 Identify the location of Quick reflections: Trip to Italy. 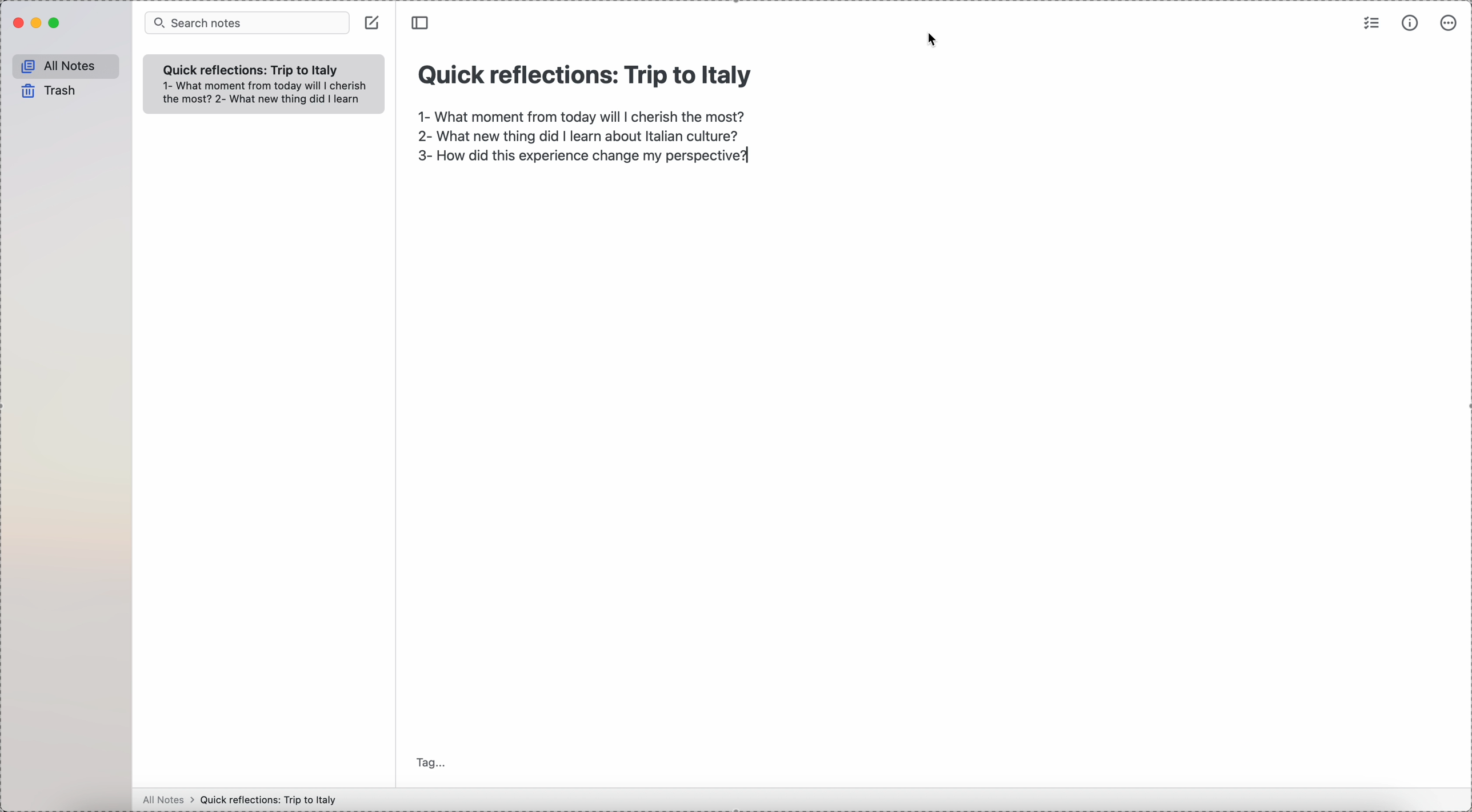
(270, 799).